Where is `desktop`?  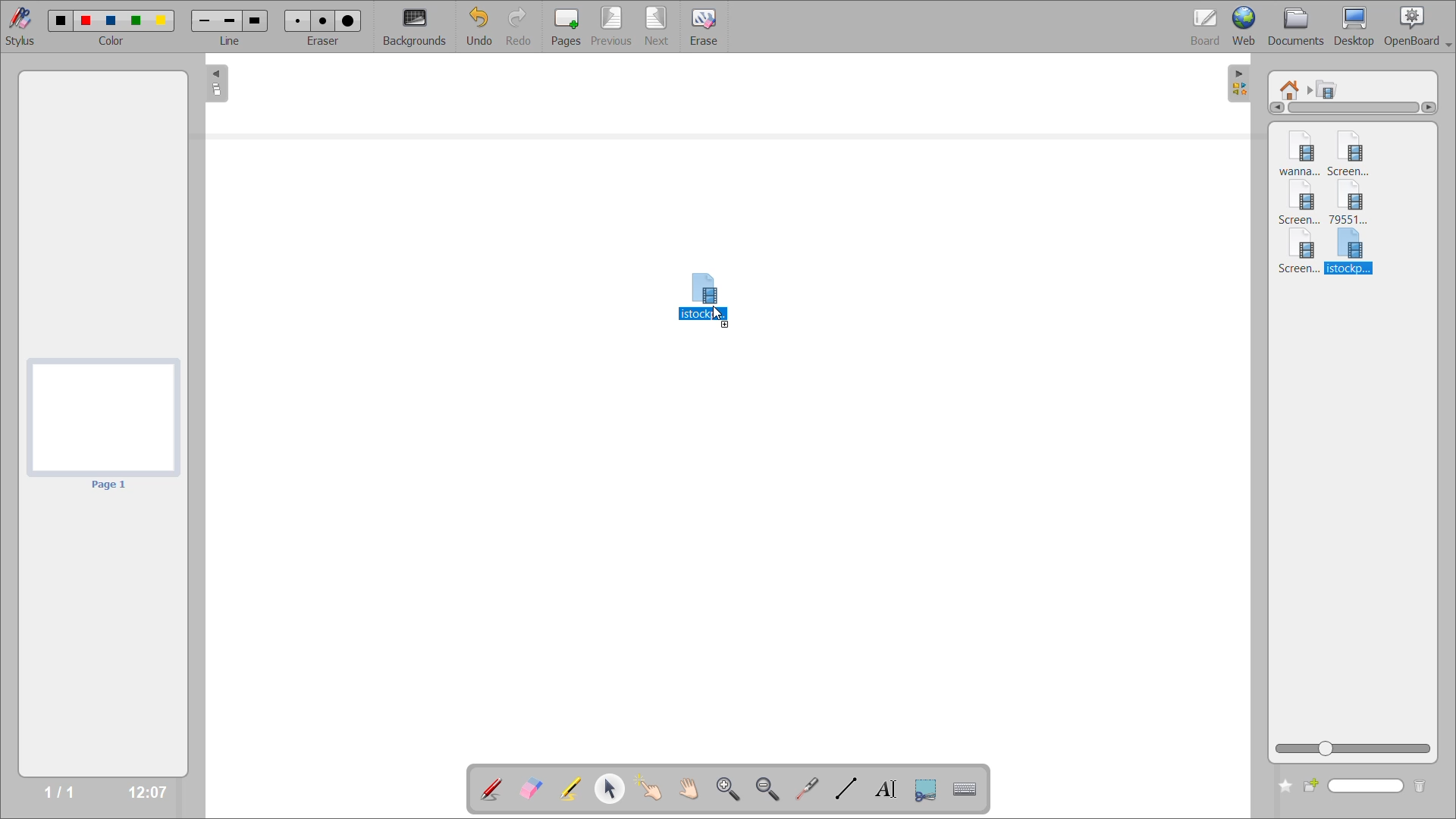 desktop is located at coordinates (1358, 26).